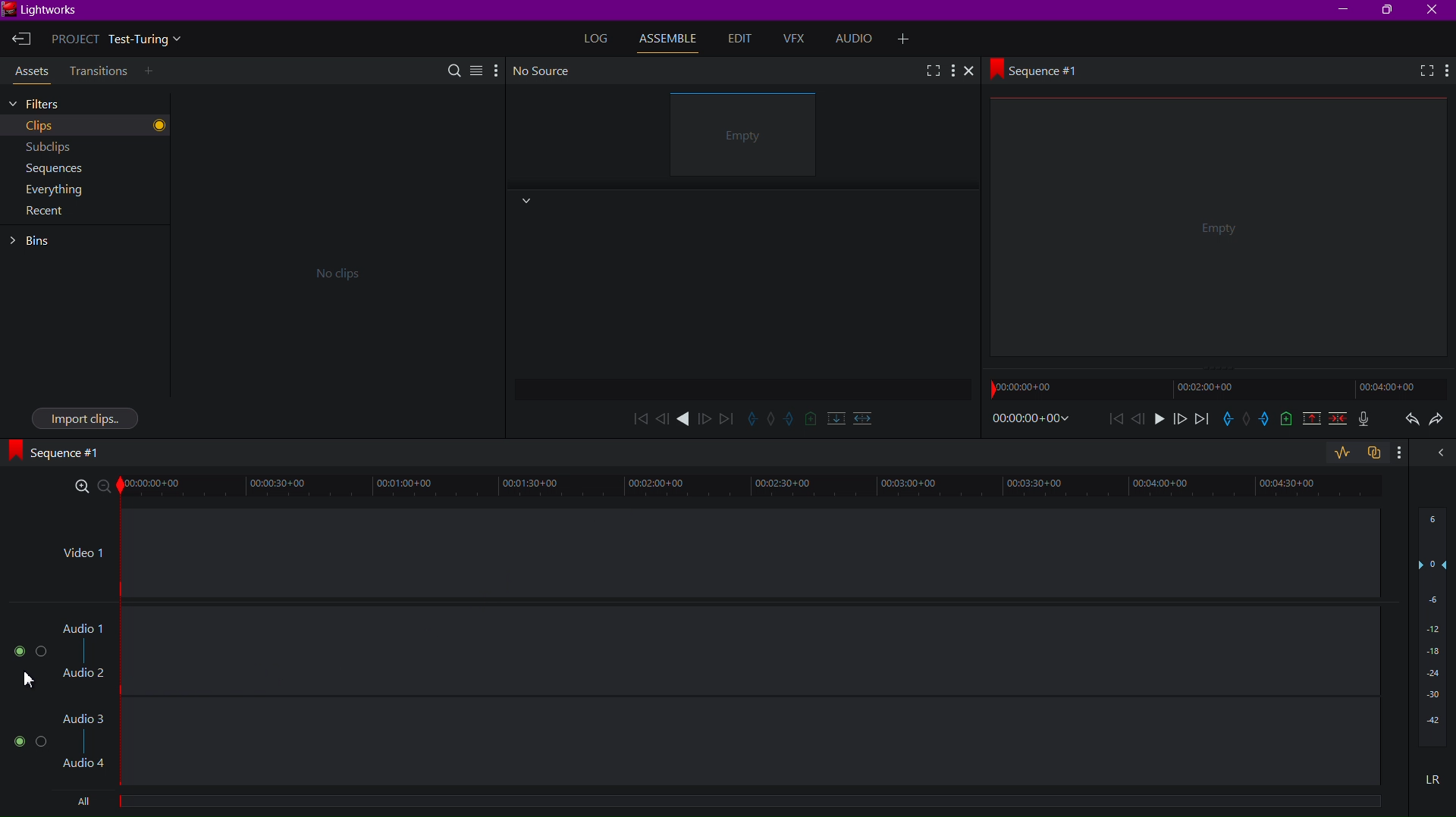  I want to click on Audio, so click(859, 39).